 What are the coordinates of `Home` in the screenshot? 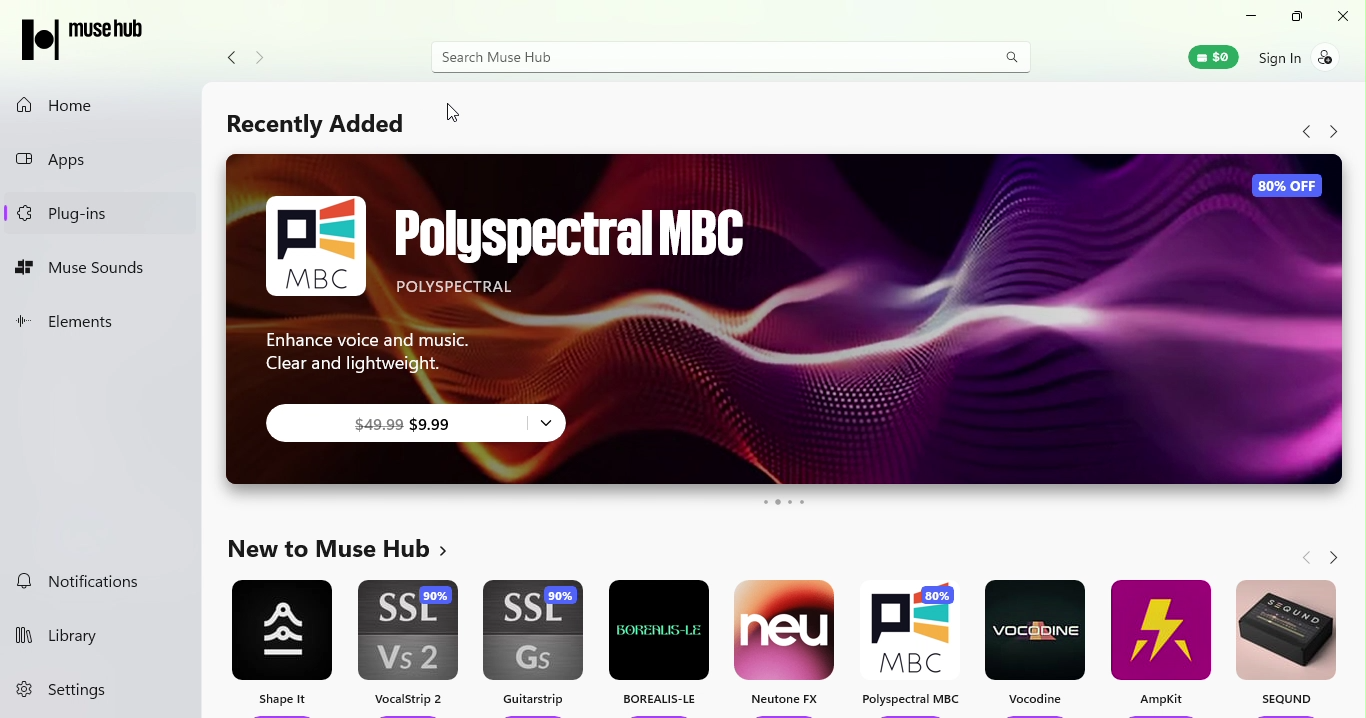 It's located at (97, 109).